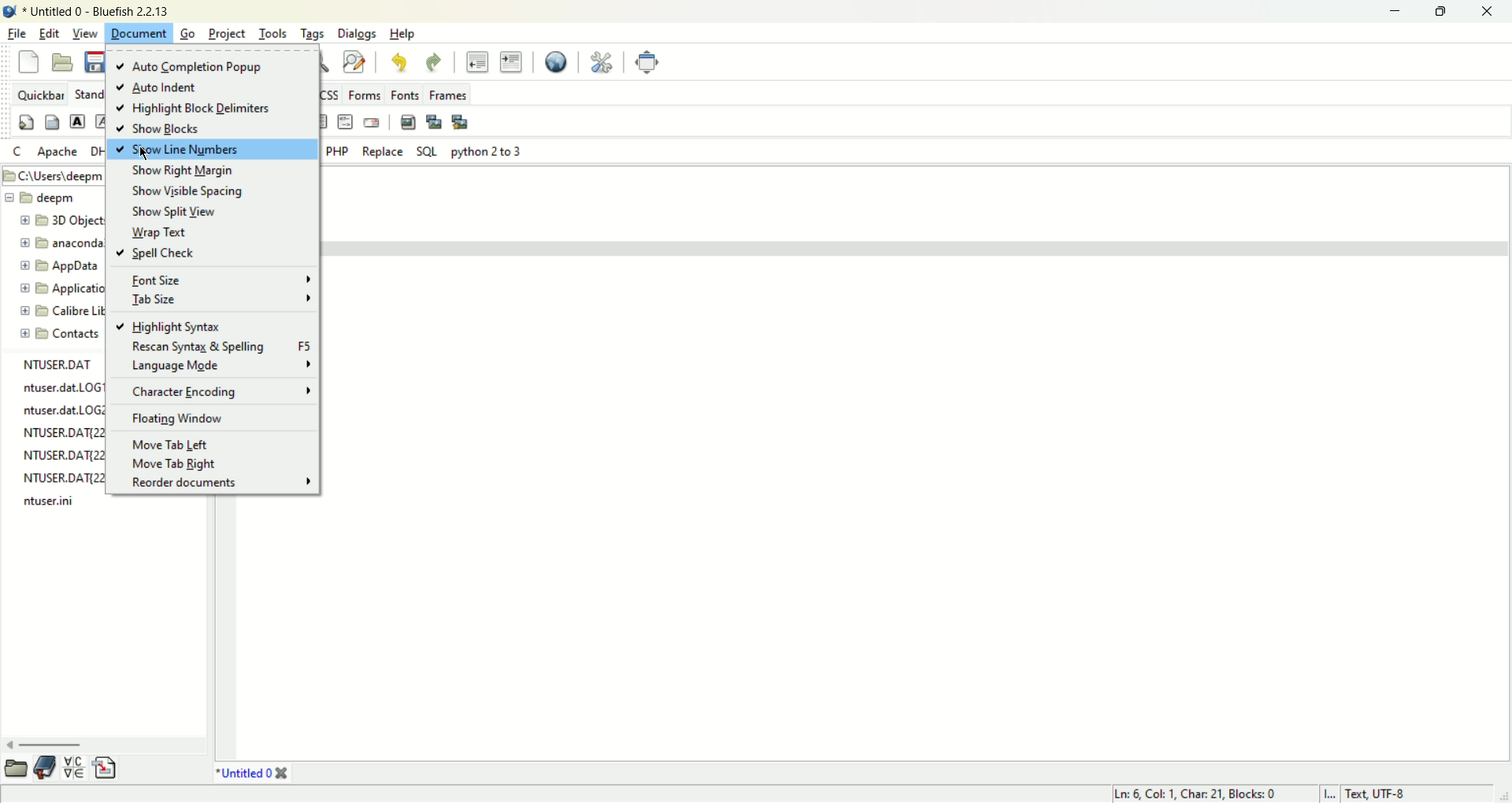 Image resolution: width=1512 pixels, height=803 pixels. What do you see at coordinates (354, 62) in the screenshot?
I see `advanced find and replace` at bounding box center [354, 62].